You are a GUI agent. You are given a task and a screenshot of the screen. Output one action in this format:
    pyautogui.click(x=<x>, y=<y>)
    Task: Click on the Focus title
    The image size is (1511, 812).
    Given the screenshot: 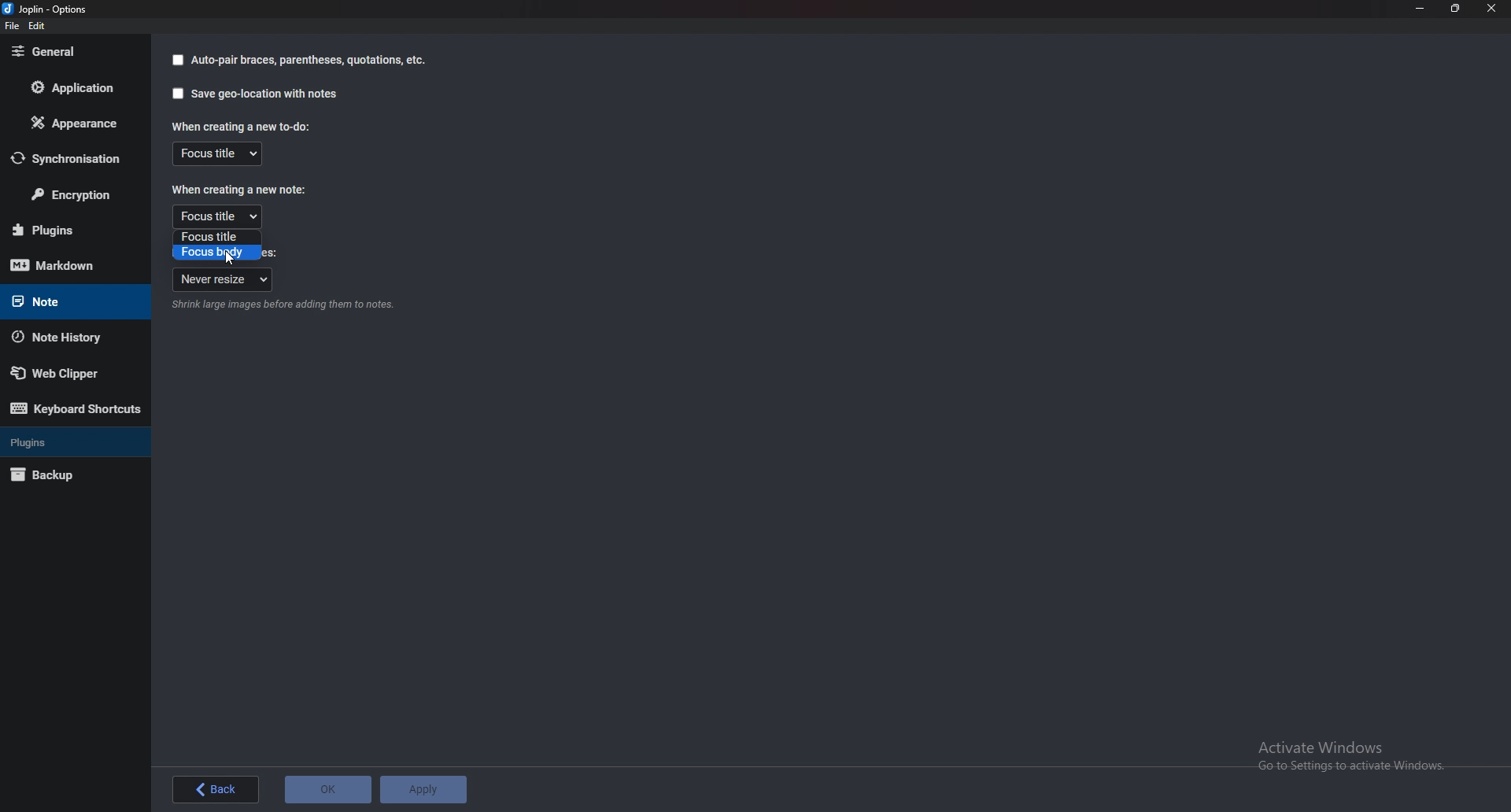 What is the action you would take?
    pyautogui.click(x=217, y=216)
    